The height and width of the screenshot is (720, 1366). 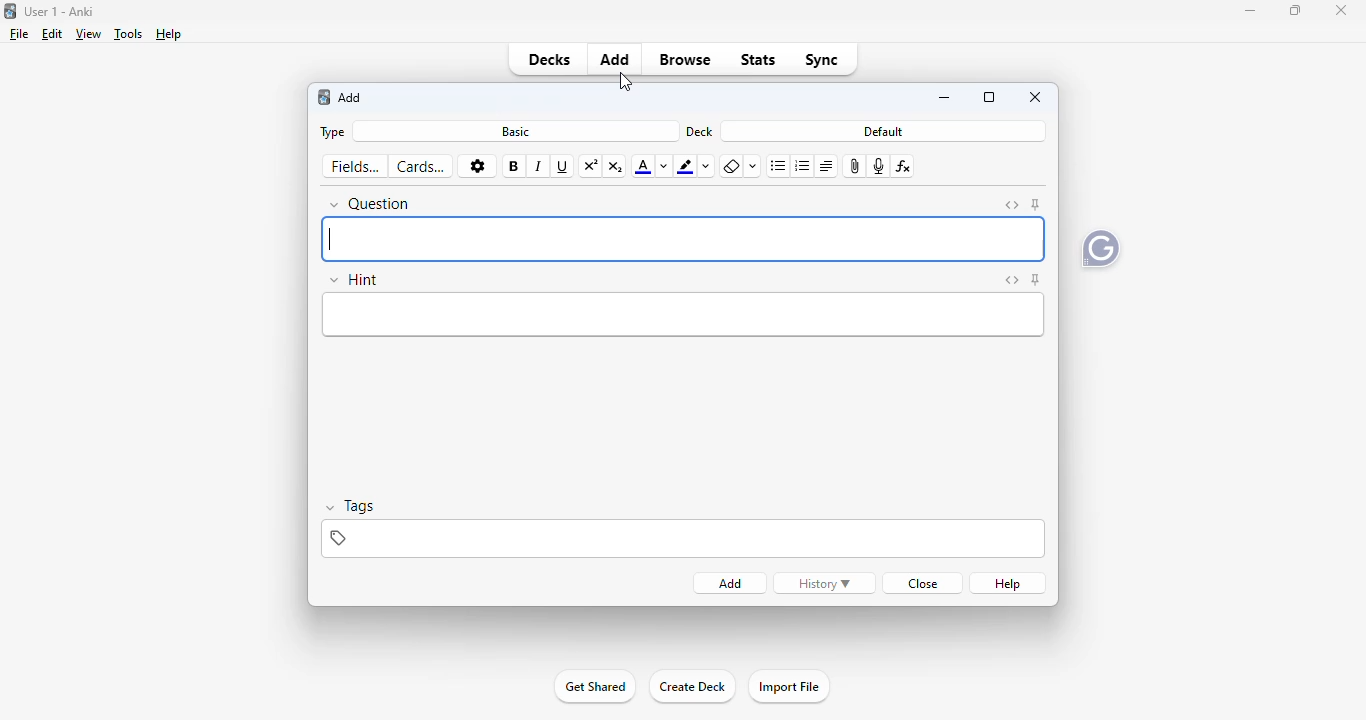 What do you see at coordinates (625, 83) in the screenshot?
I see `cursor` at bounding box center [625, 83].